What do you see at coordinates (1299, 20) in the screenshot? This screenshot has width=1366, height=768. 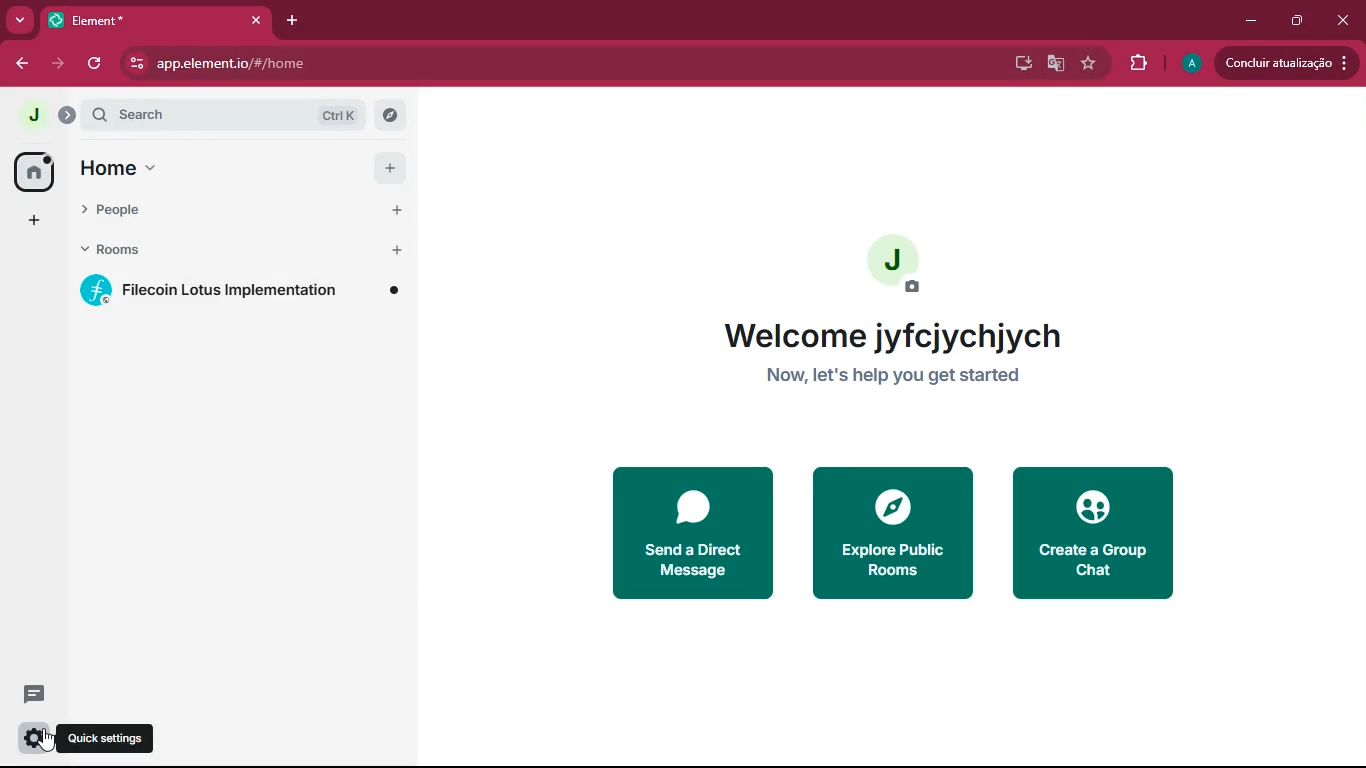 I see `maximize` at bounding box center [1299, 20].